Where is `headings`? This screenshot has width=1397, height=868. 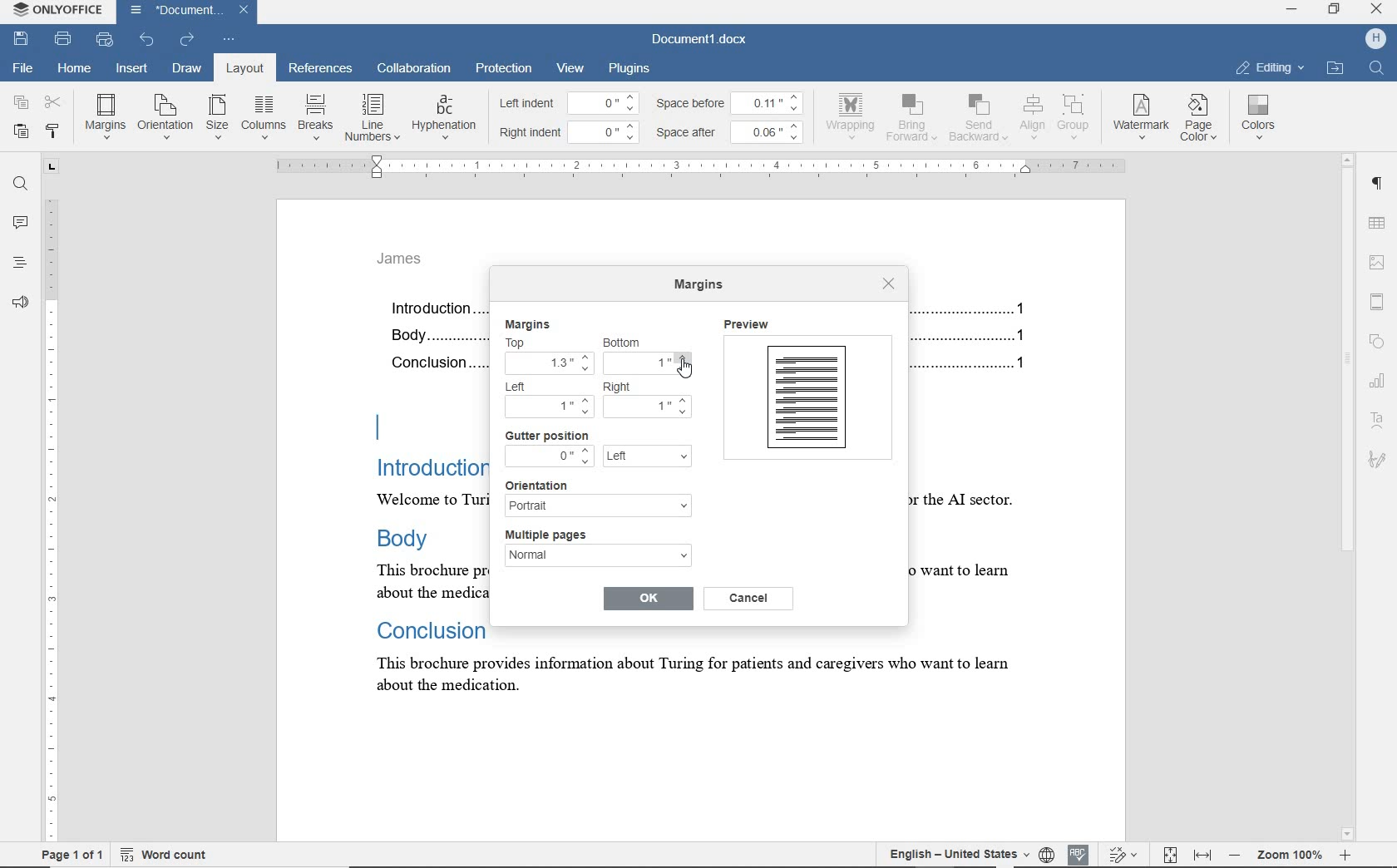 headings is located at coordinates (16, 264).